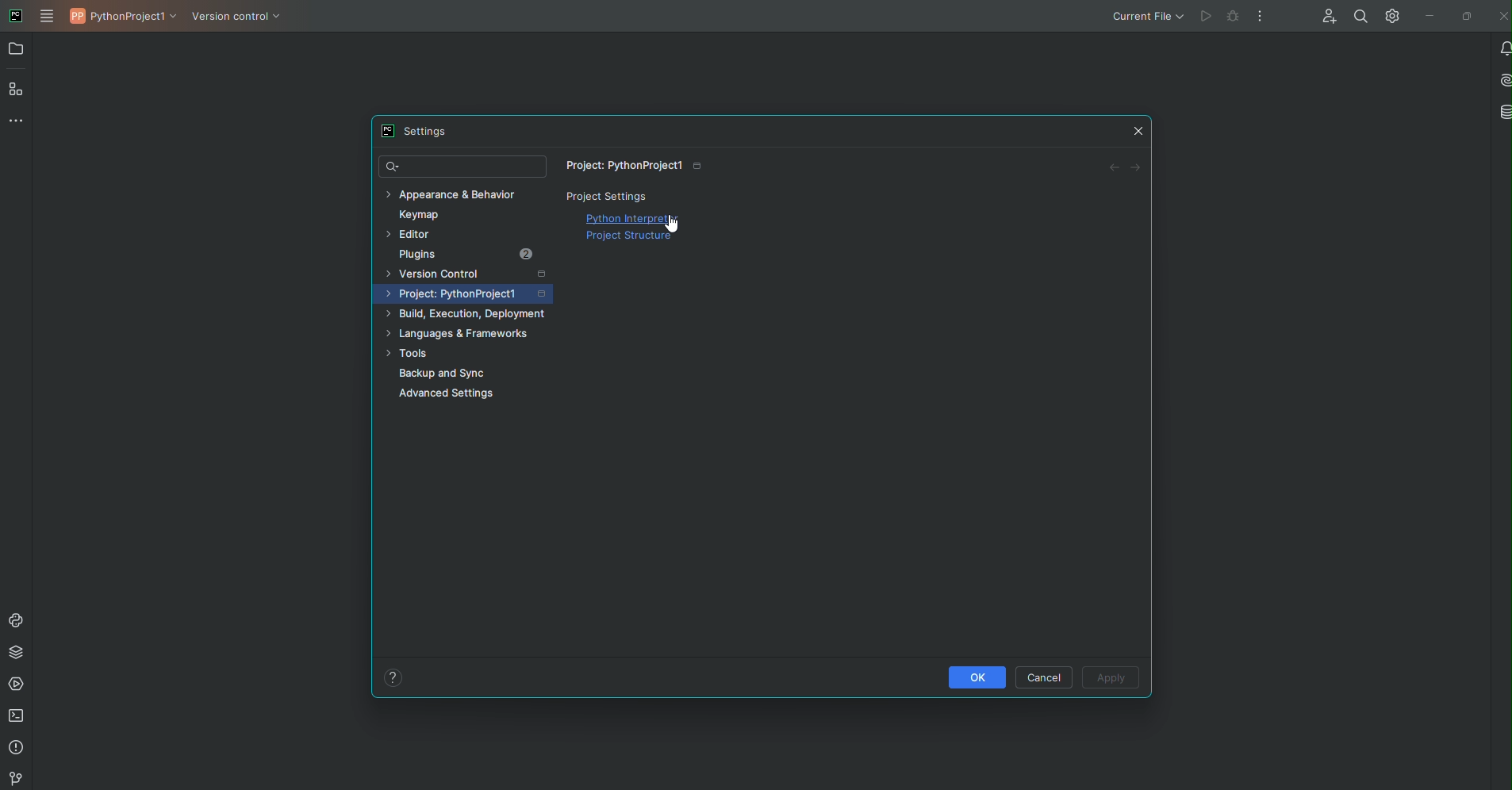  I want to click on OK, so click(975, 677).